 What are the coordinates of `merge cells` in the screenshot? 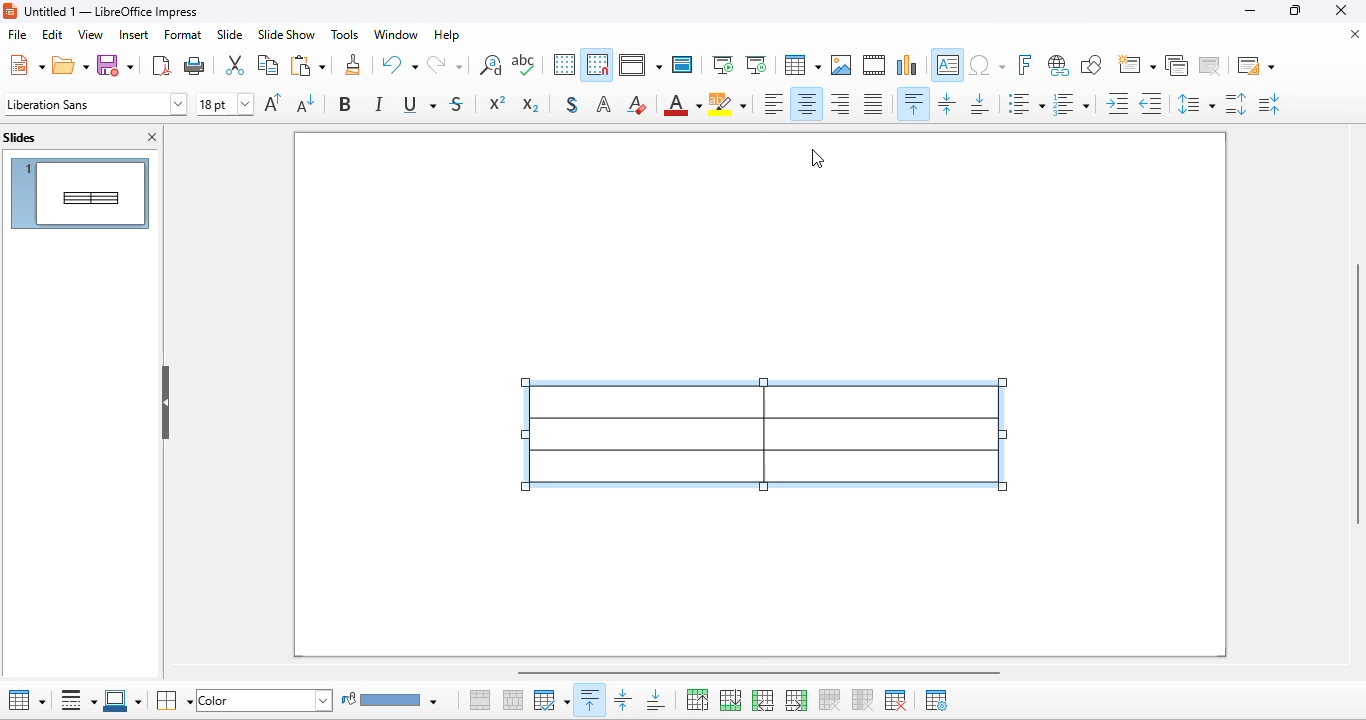 It's located at (481, 700).